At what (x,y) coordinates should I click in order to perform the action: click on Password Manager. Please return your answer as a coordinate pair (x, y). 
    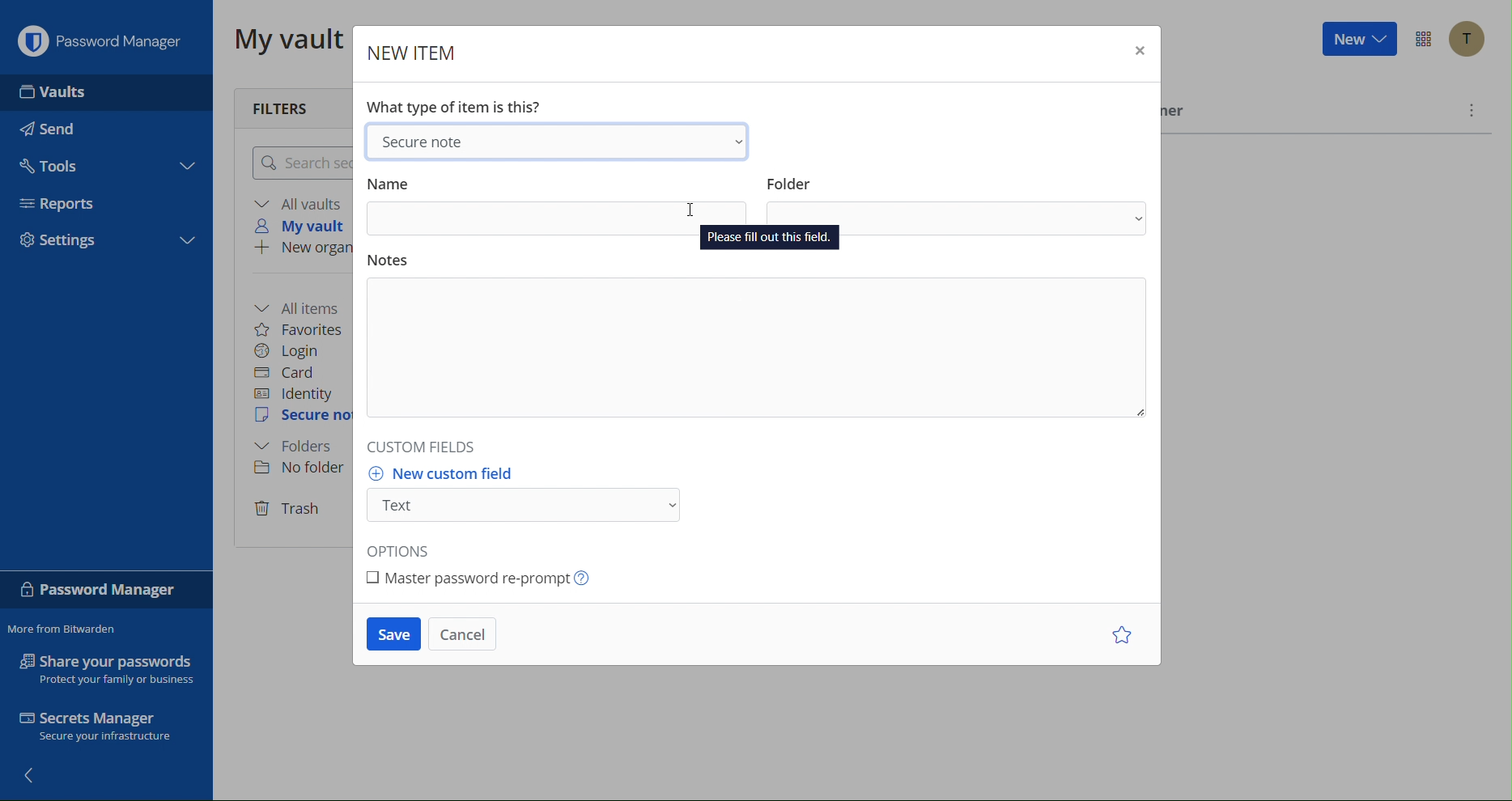
    Looking at the image, I should click on (104, 590).